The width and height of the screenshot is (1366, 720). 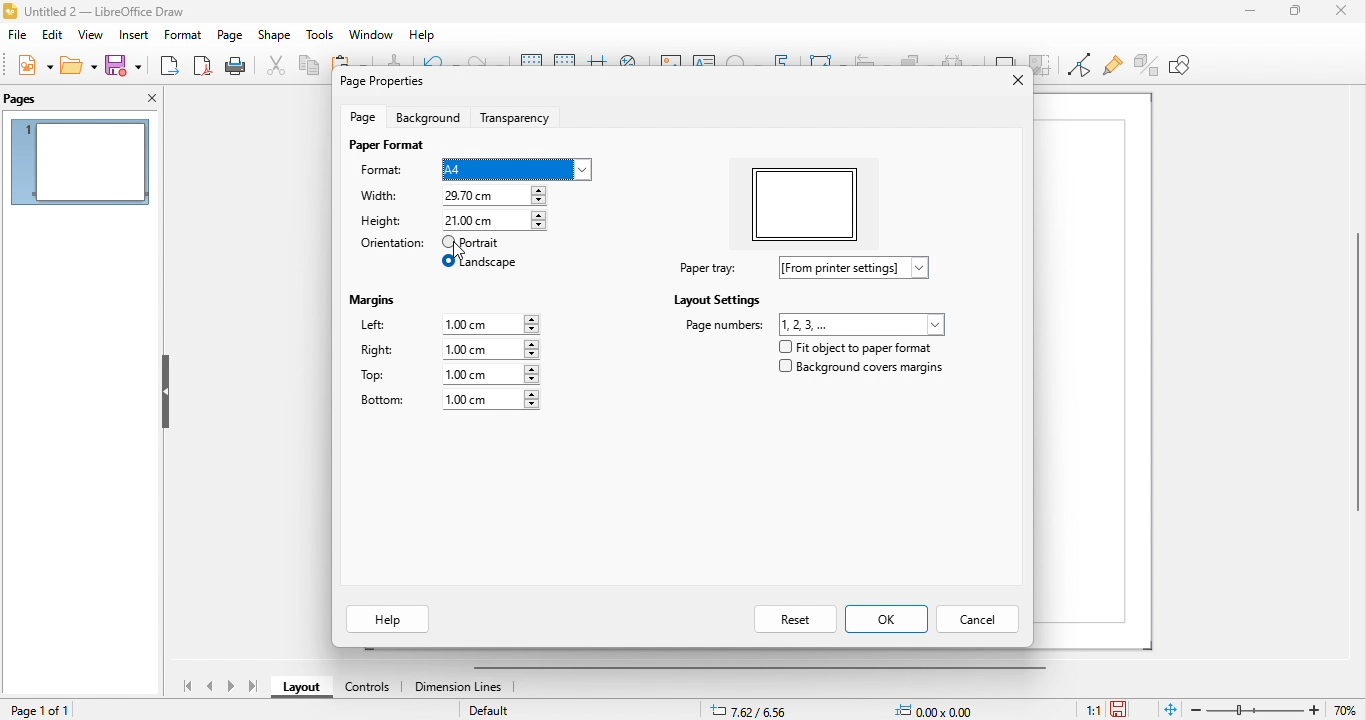 What do you see at coordinates (253, 687) in the screenshot?
I see `last page` at bounding box center [253, 687].